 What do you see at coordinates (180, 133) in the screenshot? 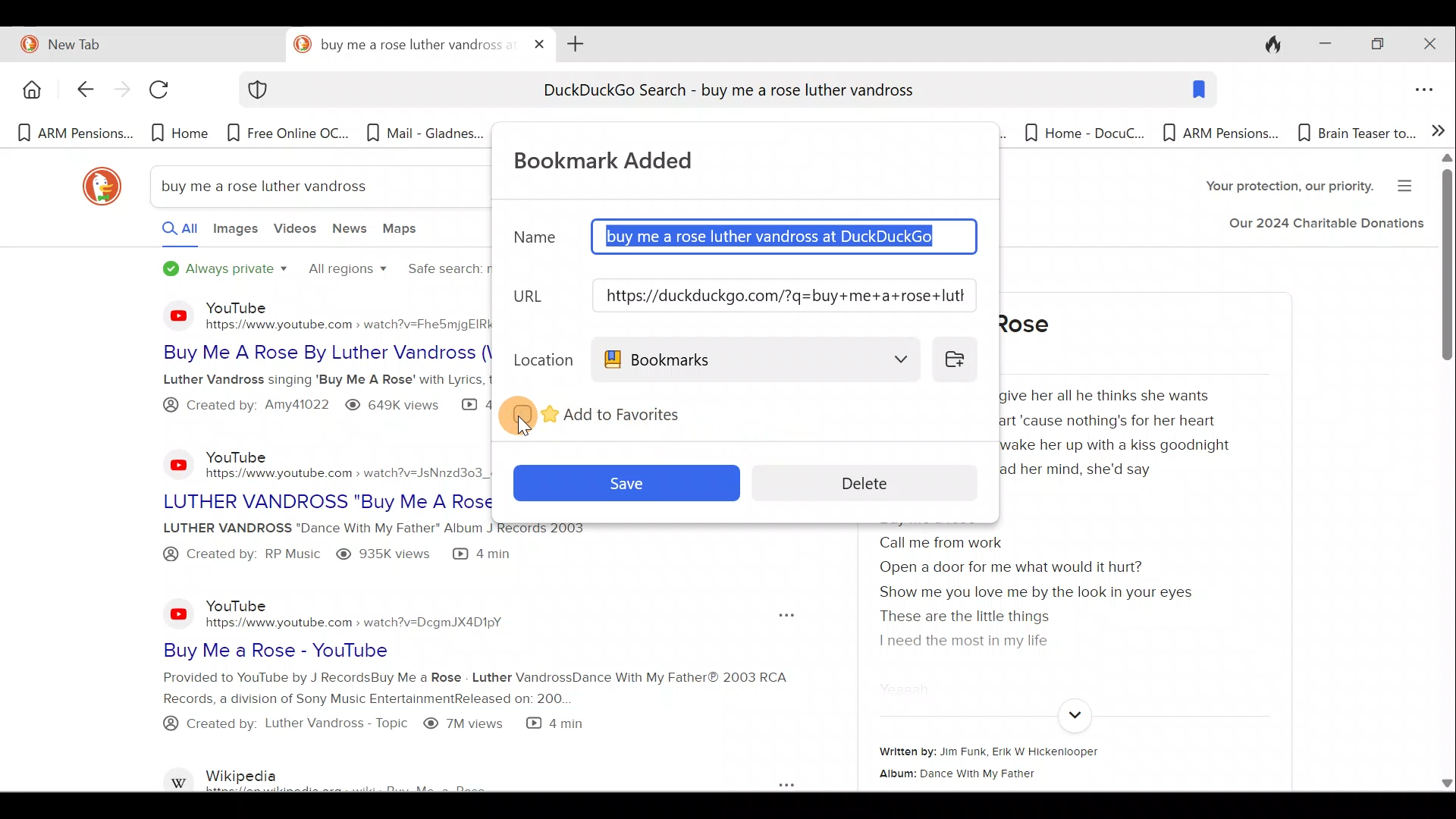
I see `Bookmark 2` at bounding box center [180, 133].